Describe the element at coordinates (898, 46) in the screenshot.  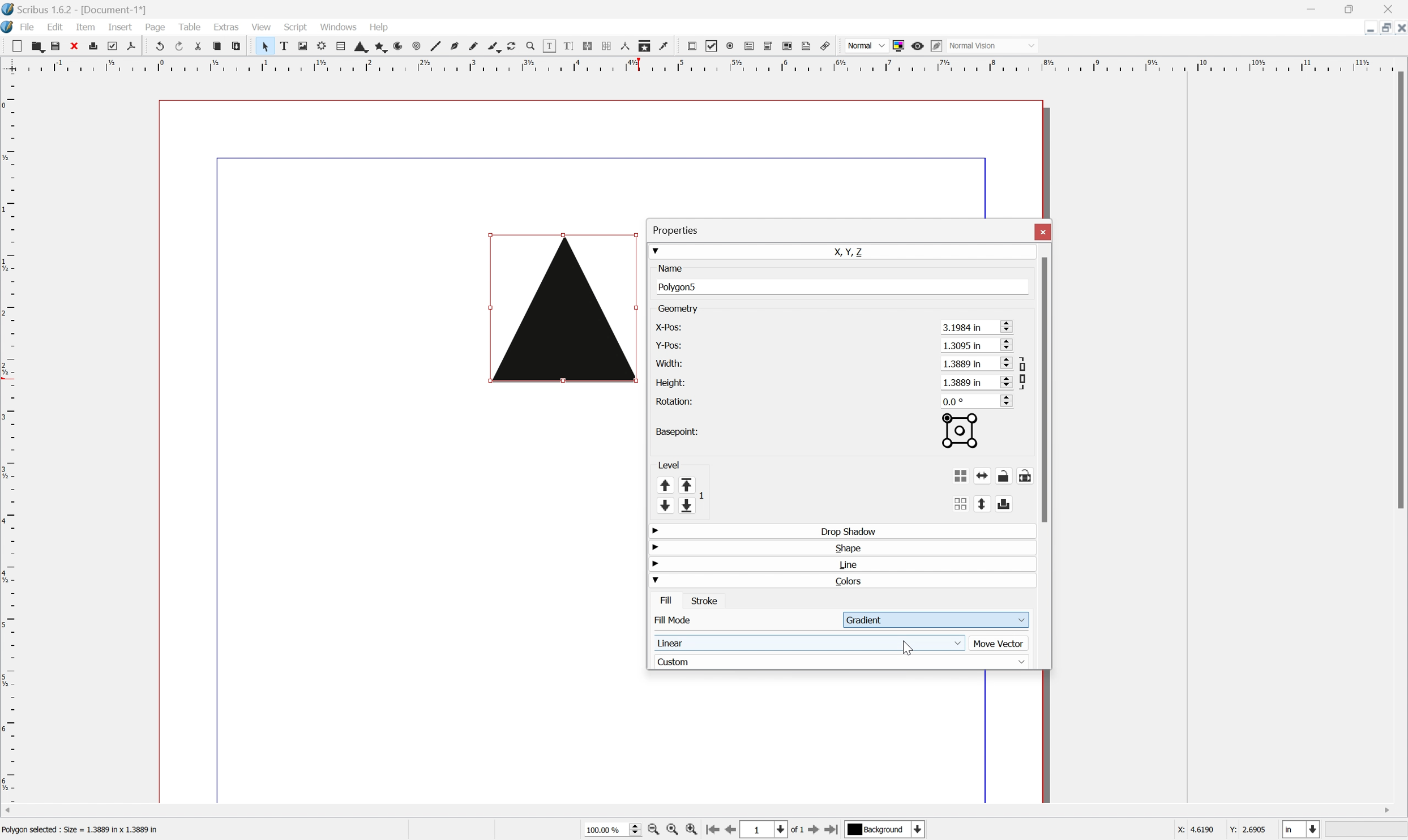
I see `Toggle color management system` at that location.